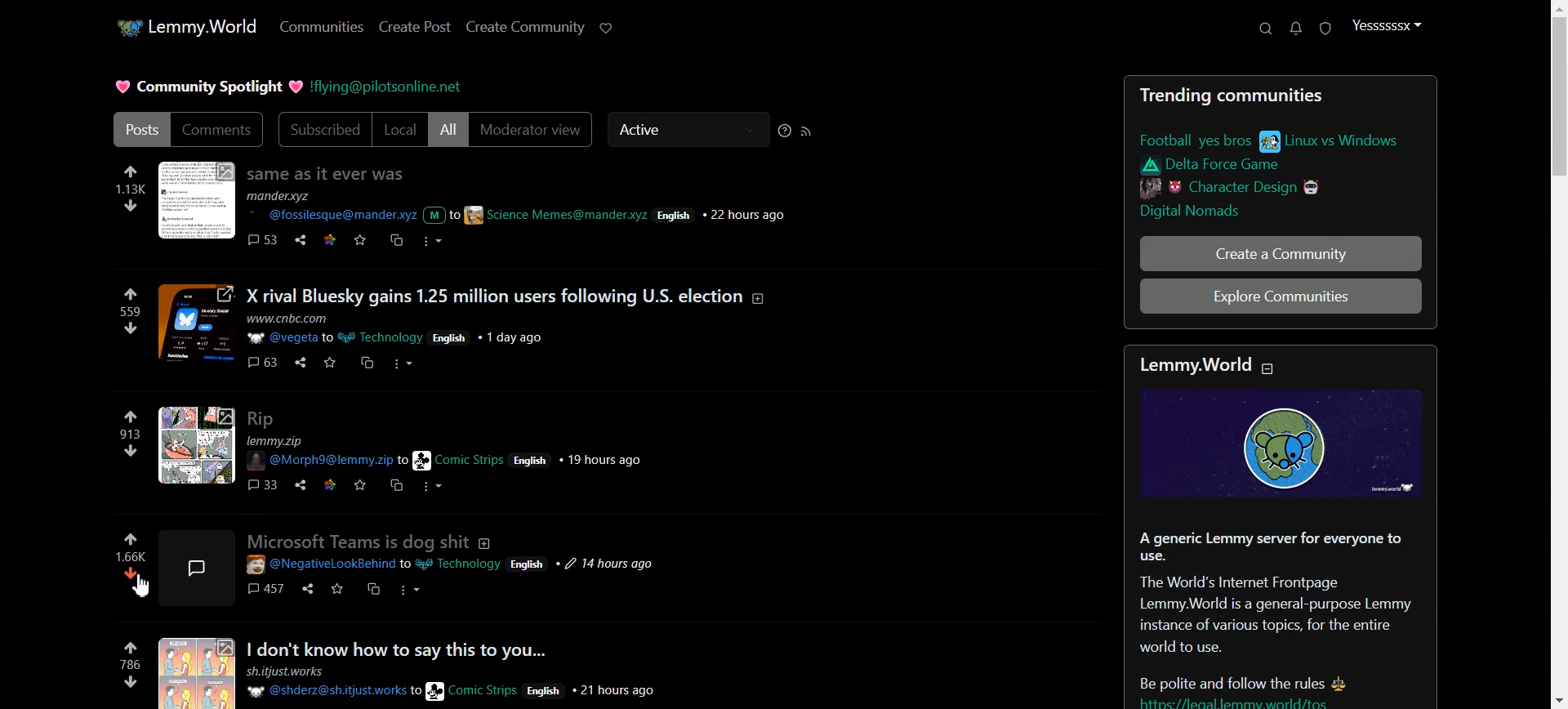 This screenshot has width=1568, height=709. Describe the element at coordinates (533, 129) in the screenshot. I see `Moderator View` at that location.